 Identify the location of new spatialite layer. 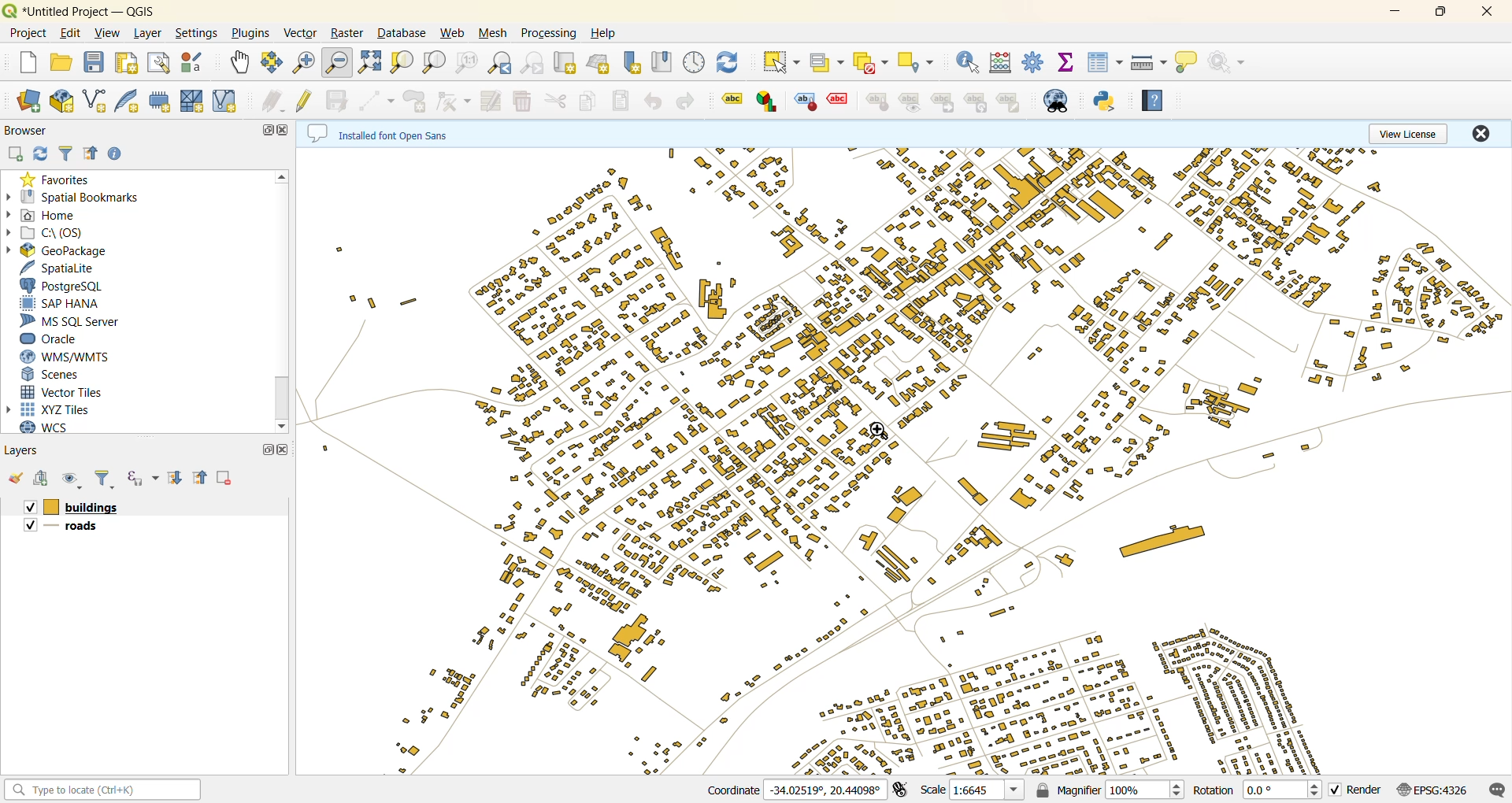
(132, 102).